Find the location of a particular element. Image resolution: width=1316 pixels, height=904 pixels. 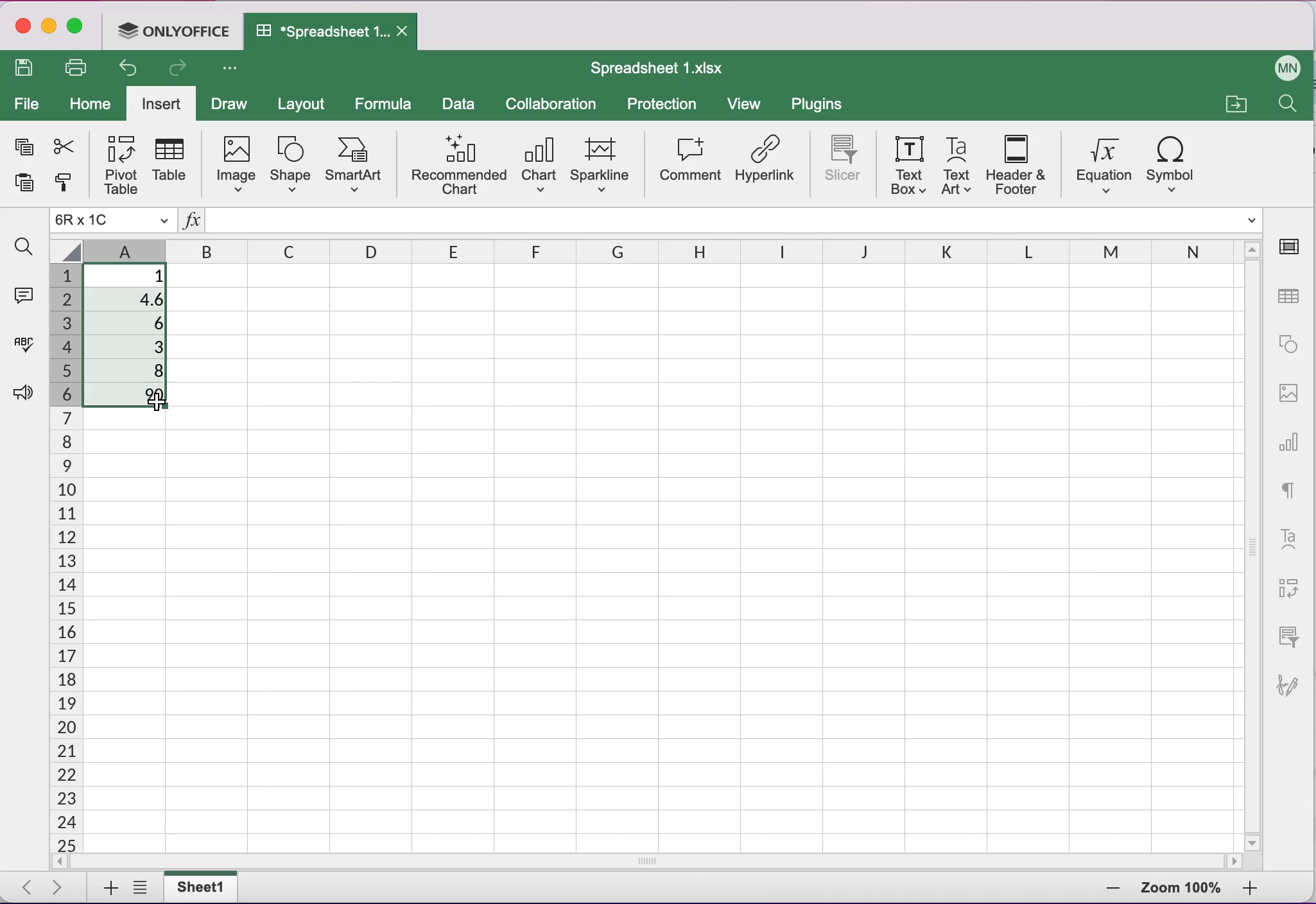

spell checking is located at coordinates (22, 345).